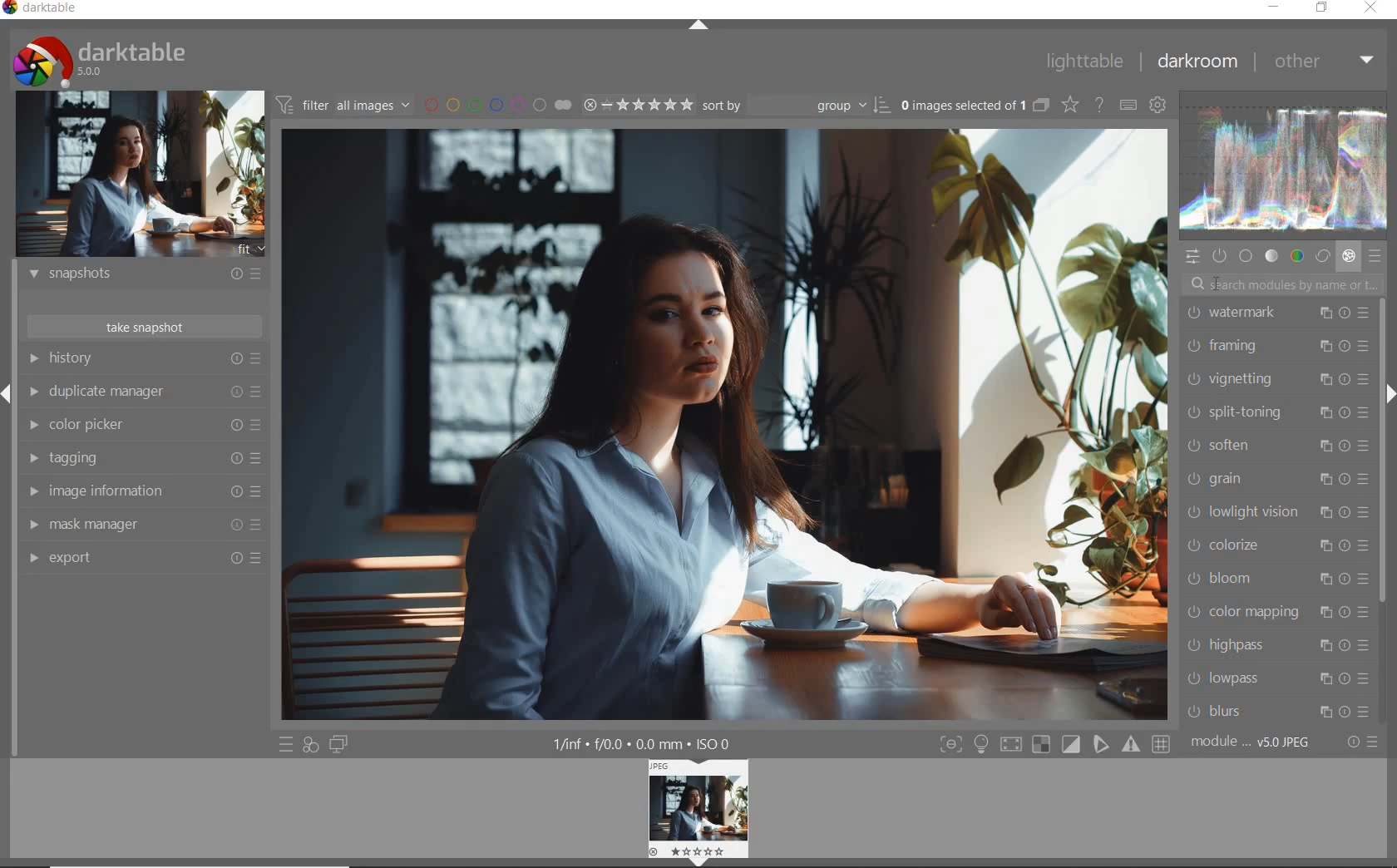  What do you see at coordinates (1278, 579) in the screenshot?
I see `bloom` at bounding box center [1278, 579].